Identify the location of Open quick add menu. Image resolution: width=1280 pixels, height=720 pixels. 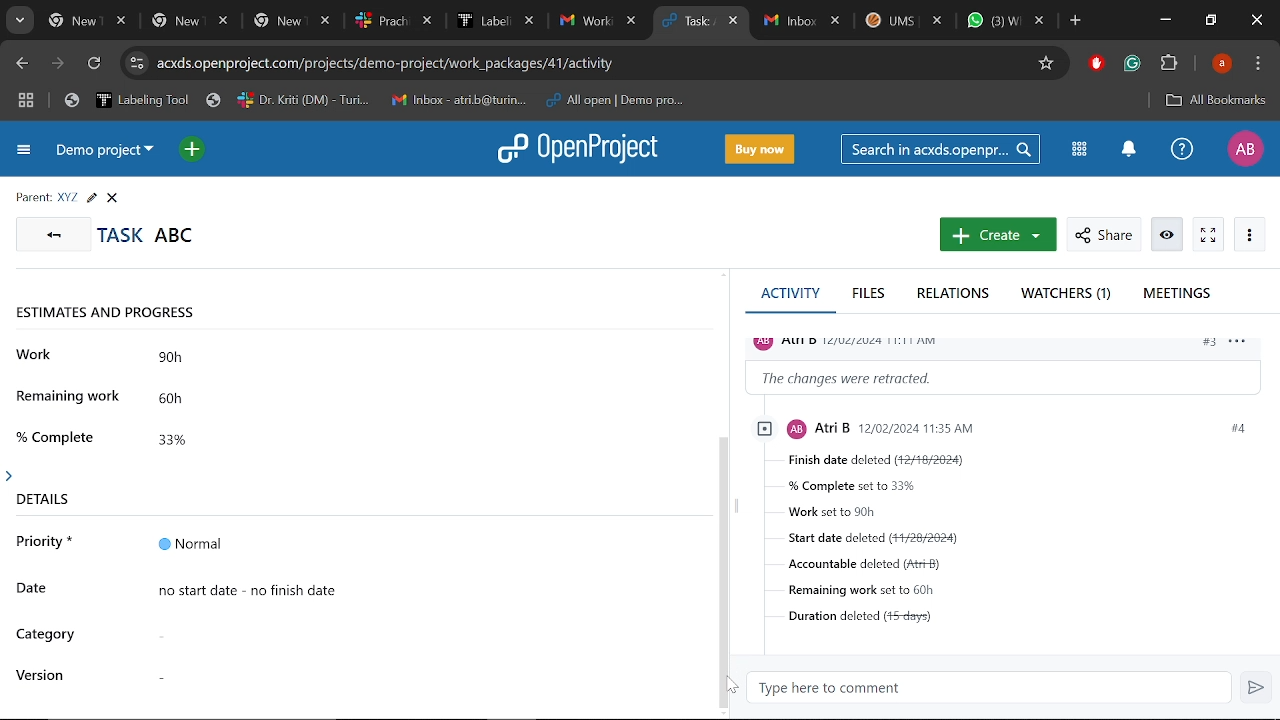
(194, 152).